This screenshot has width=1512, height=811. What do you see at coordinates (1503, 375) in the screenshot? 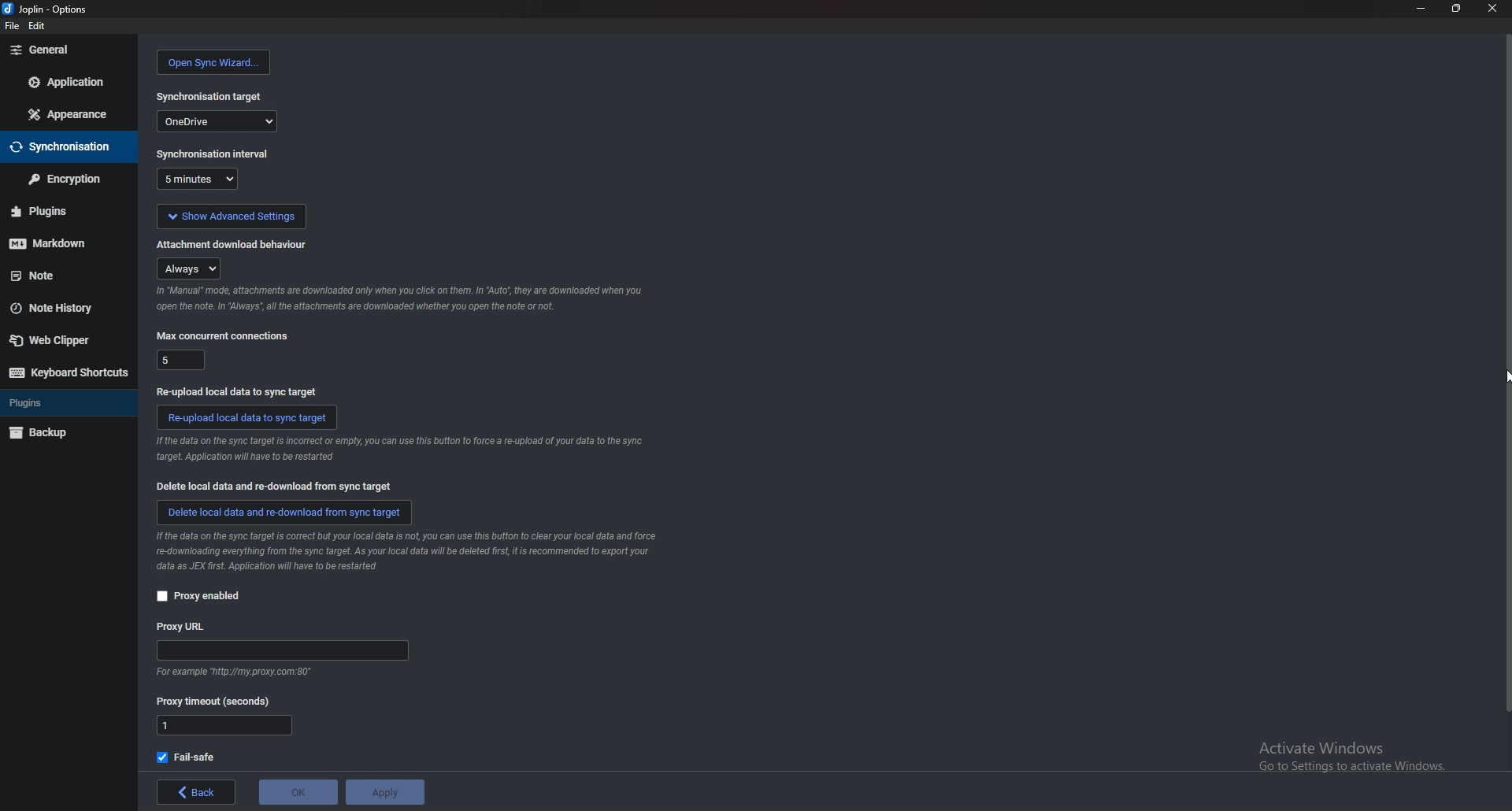
I see `cursor` at bounding box center [1503, 375].